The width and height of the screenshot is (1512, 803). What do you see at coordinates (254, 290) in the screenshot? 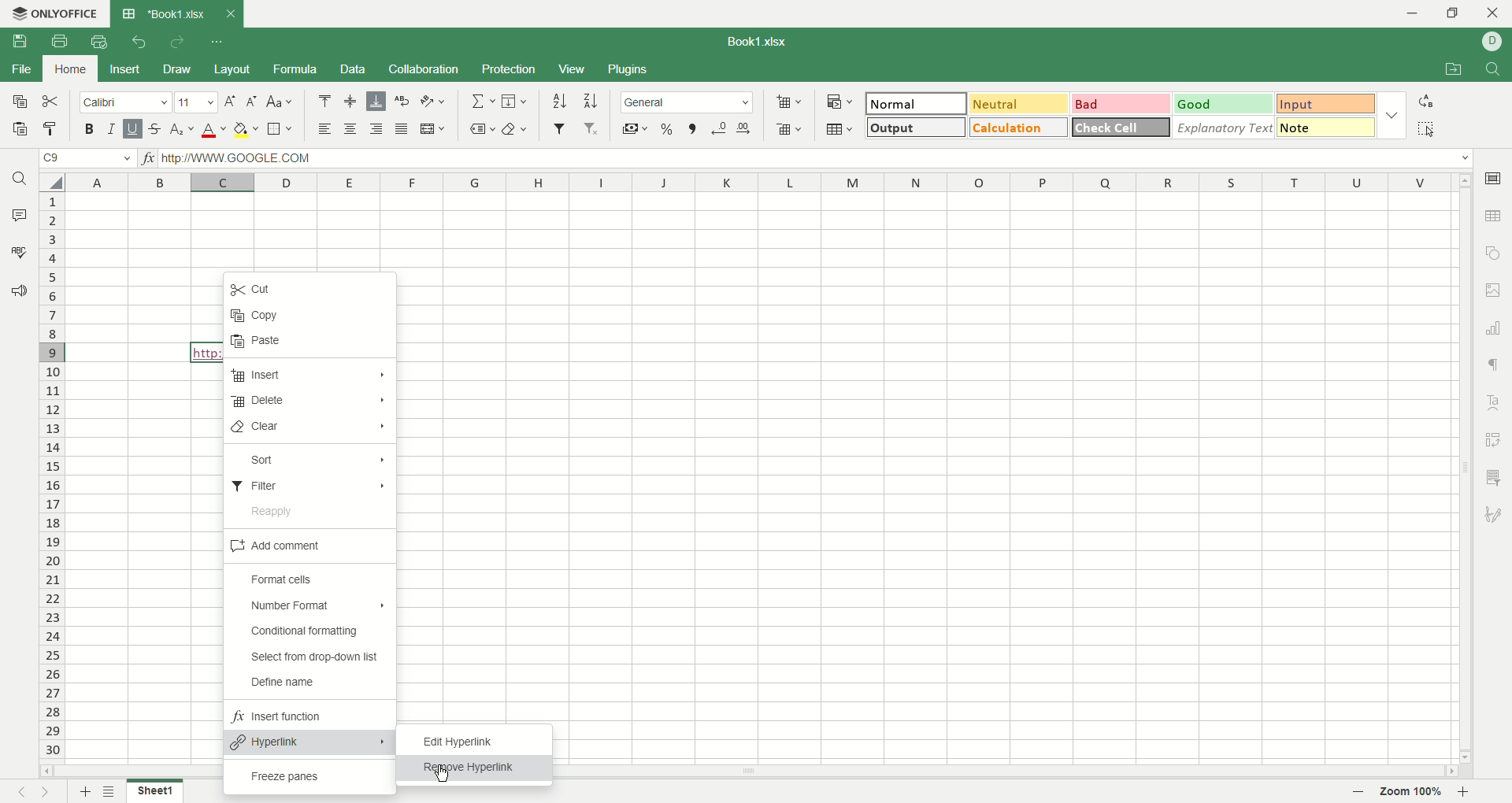
I see `cut` at bounding box center [254, 290].